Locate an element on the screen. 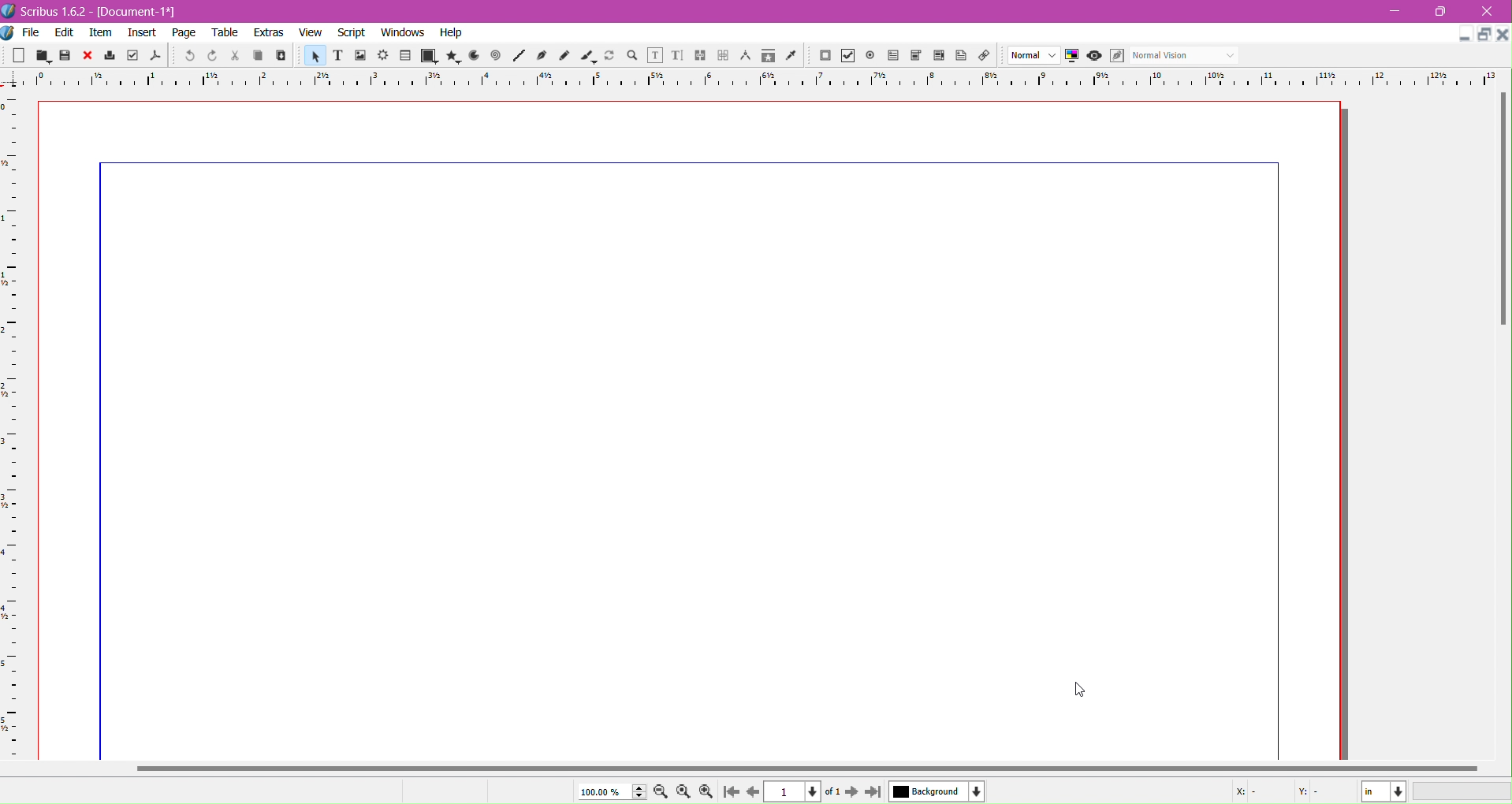 This screenshot has width=1512, height=804. background is located at coordinates (937, 791).